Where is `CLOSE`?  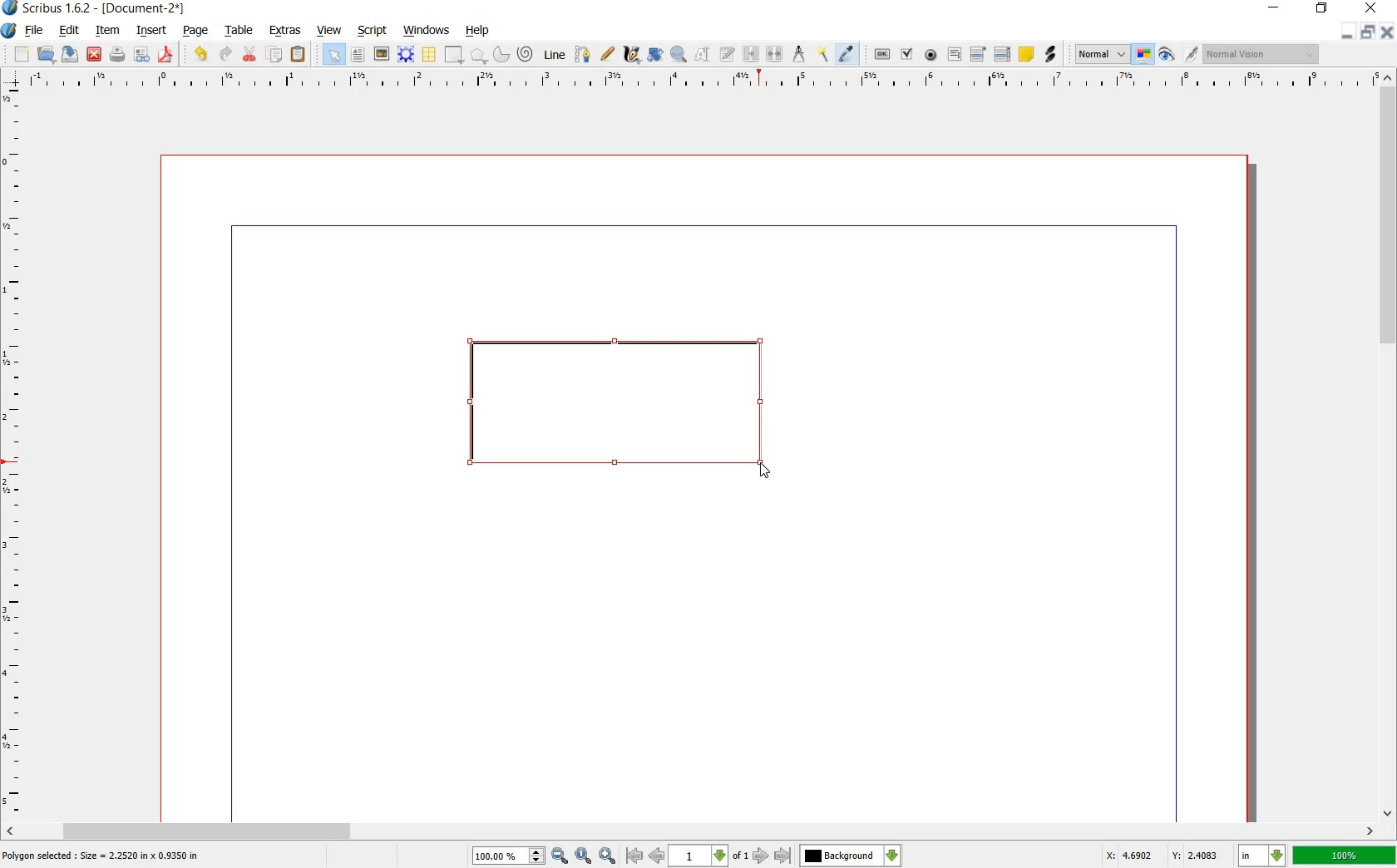 CLOSE is located at coordinates (94, 54).